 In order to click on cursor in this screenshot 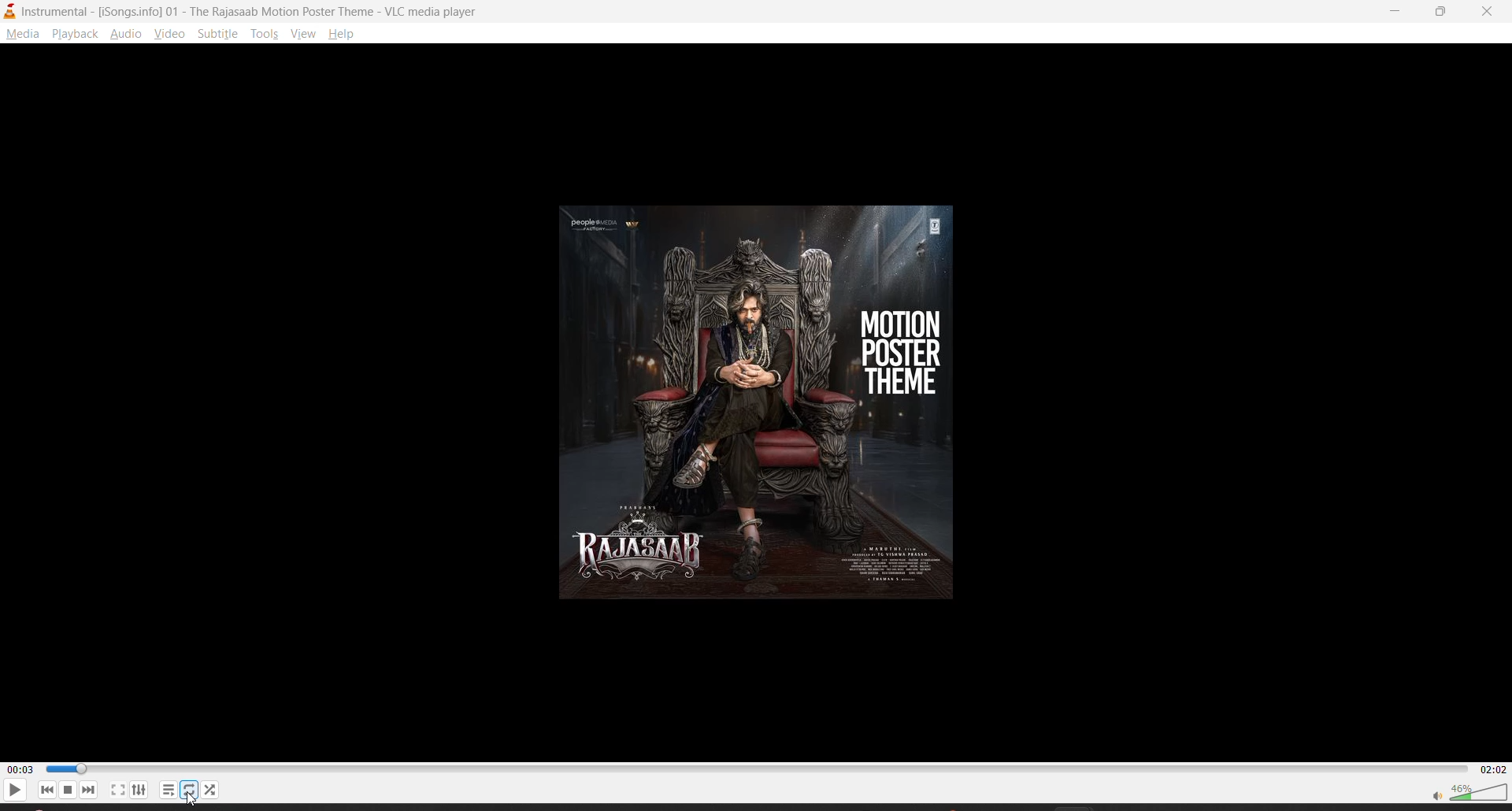, I will do `click(192, 798)`.